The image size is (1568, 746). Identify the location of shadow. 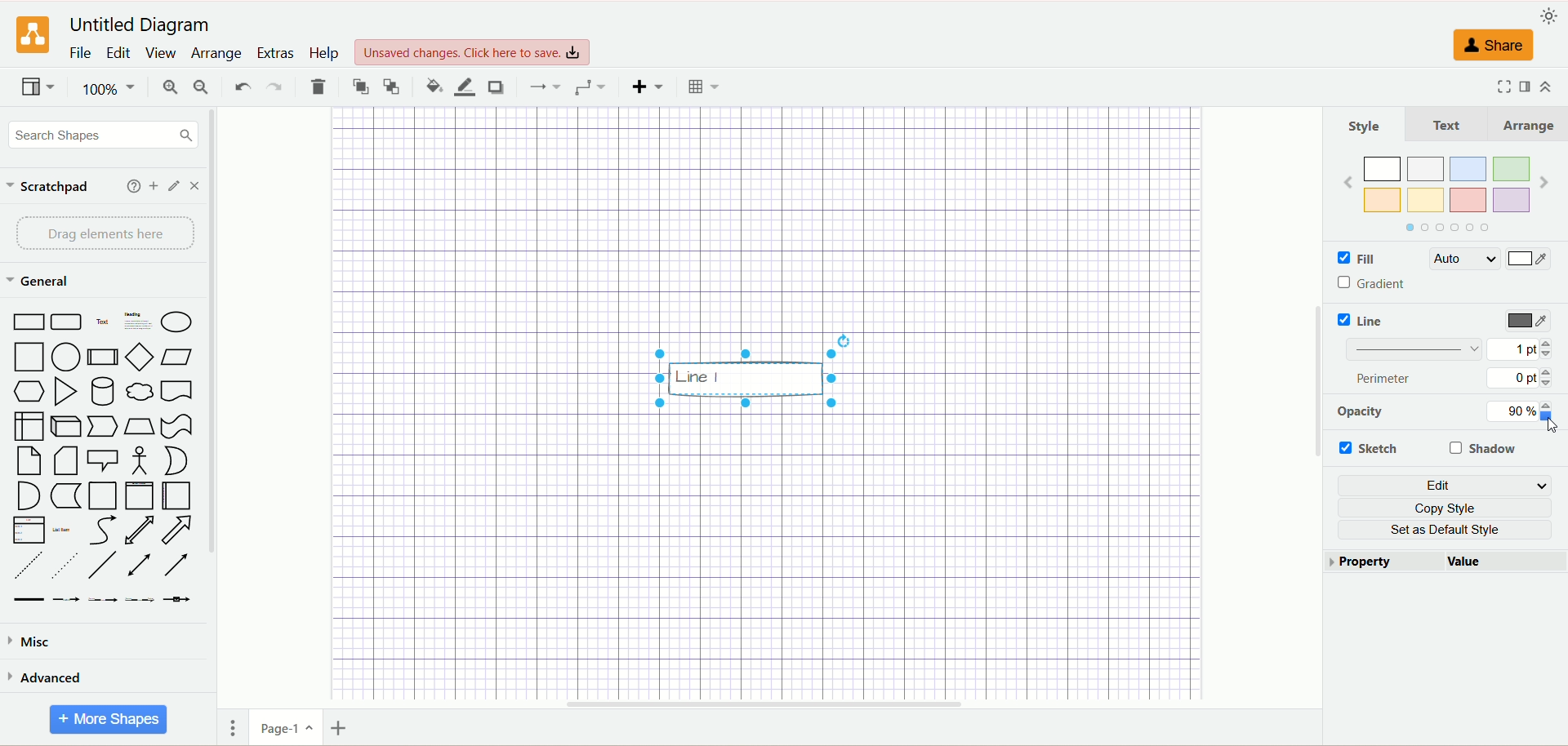
(1487, 449).